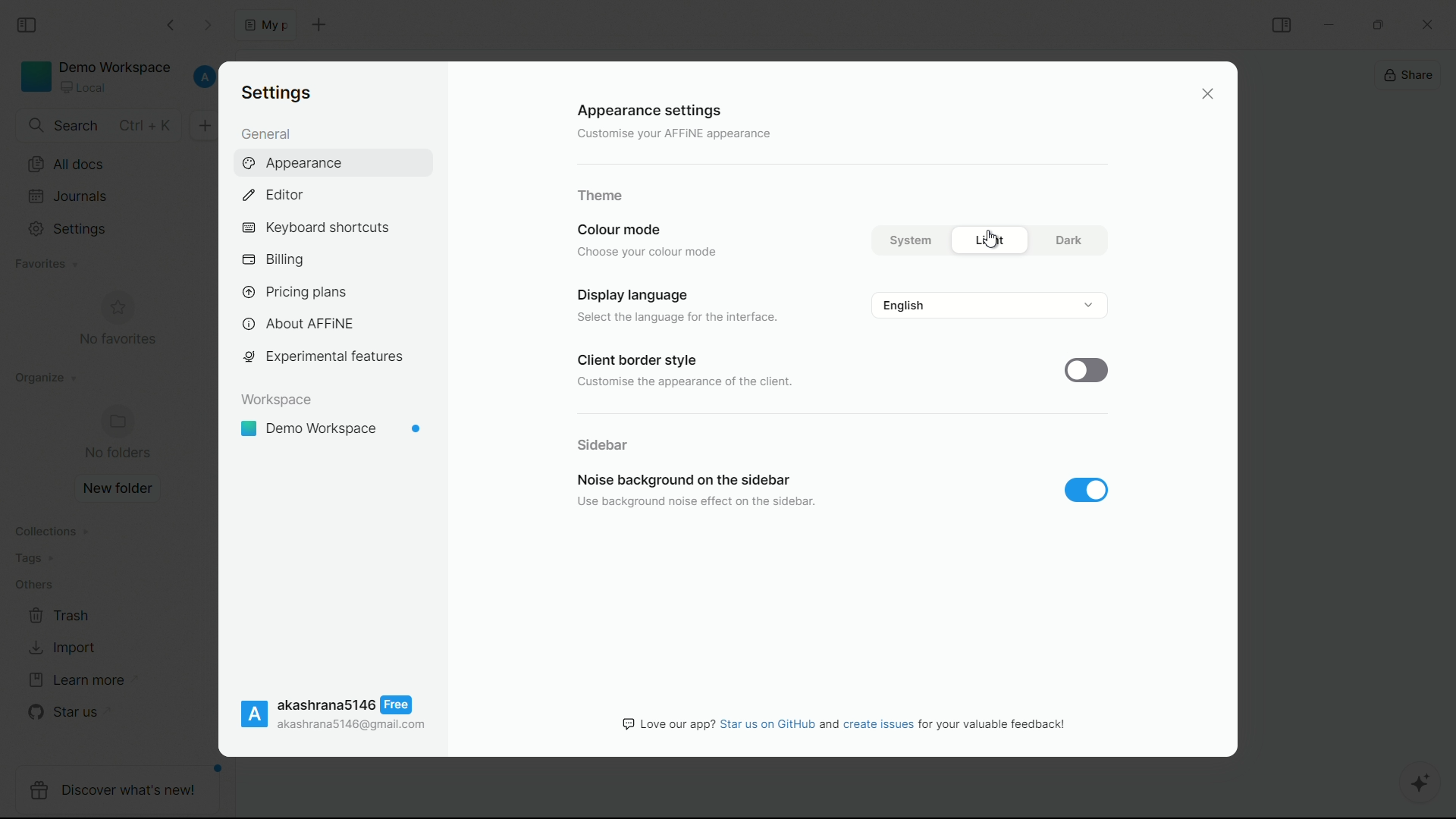  What do you see at coordinates (395, 706) in the screenshot?
I see `Free` at bounding box center [395, 706].